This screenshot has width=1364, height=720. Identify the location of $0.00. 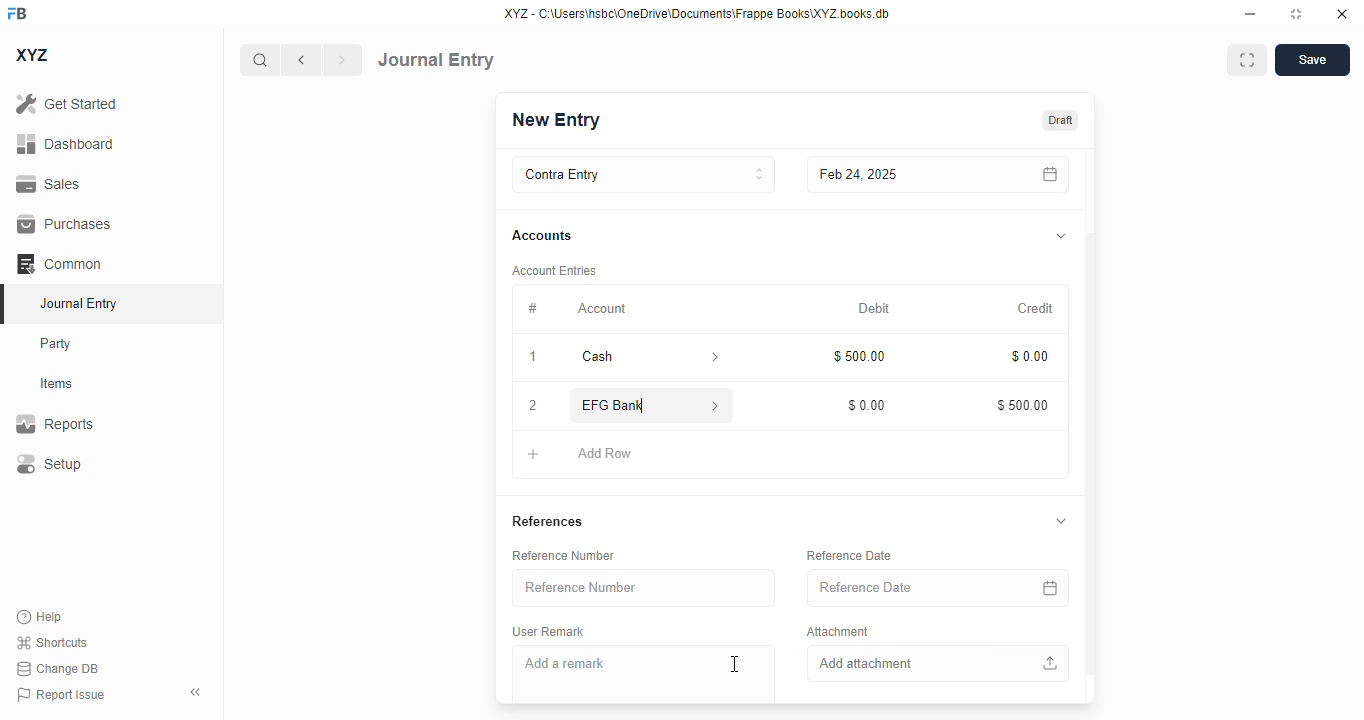
(1028, 354).